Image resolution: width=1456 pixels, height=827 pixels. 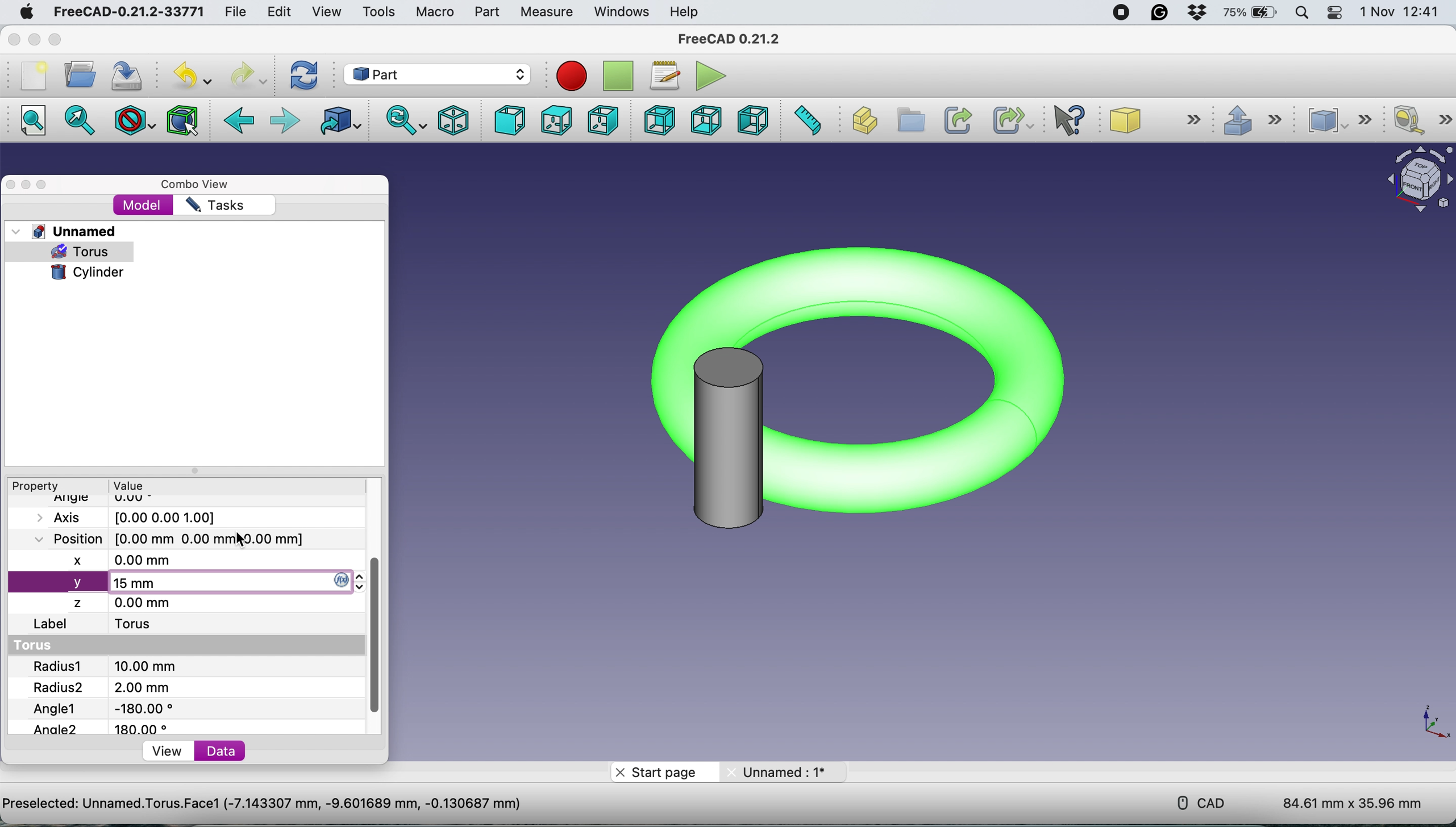 I want to click on save, so click(x=122, y=77).